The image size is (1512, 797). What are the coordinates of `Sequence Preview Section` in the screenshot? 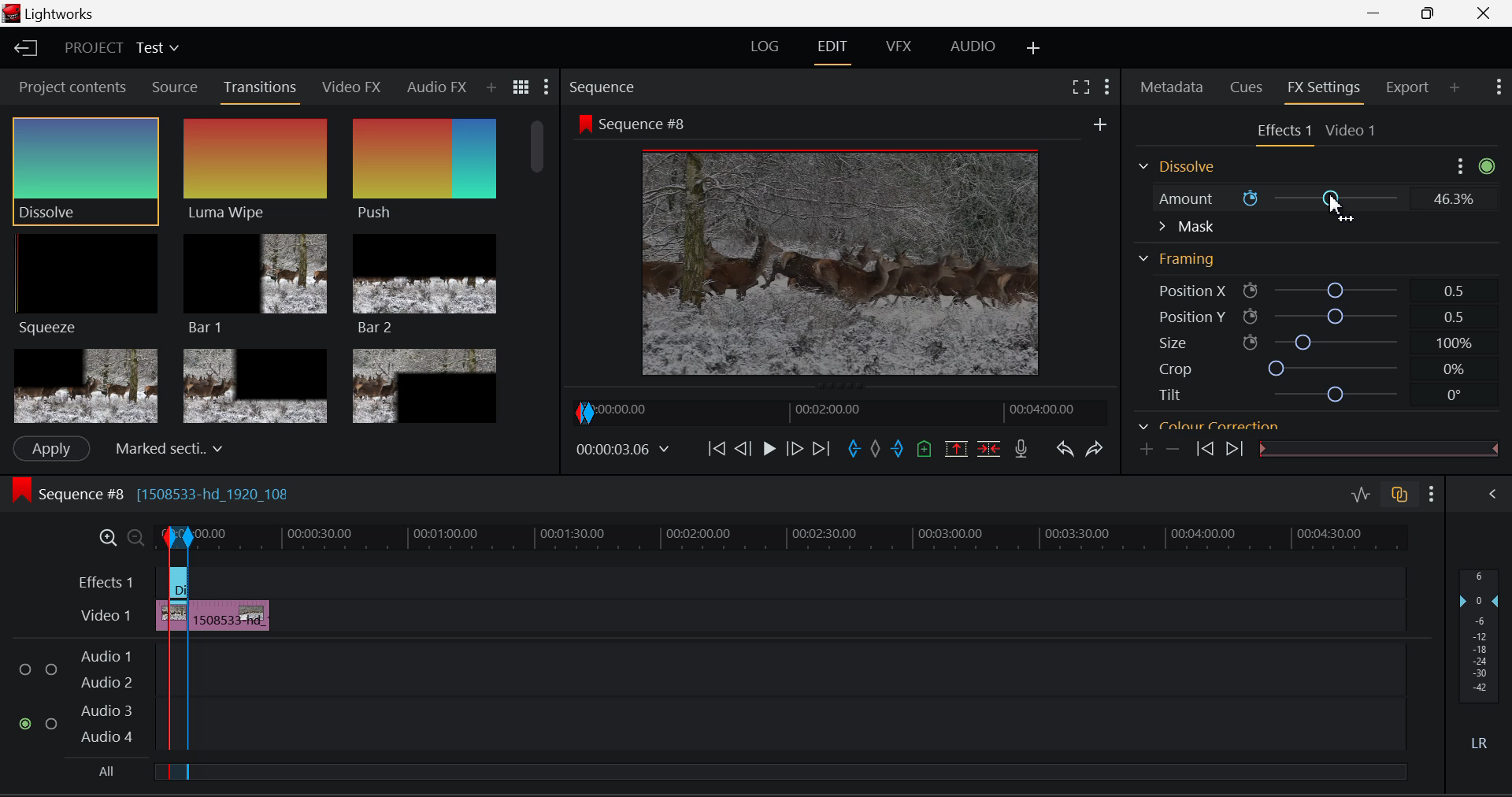 It's located at (605, 87).